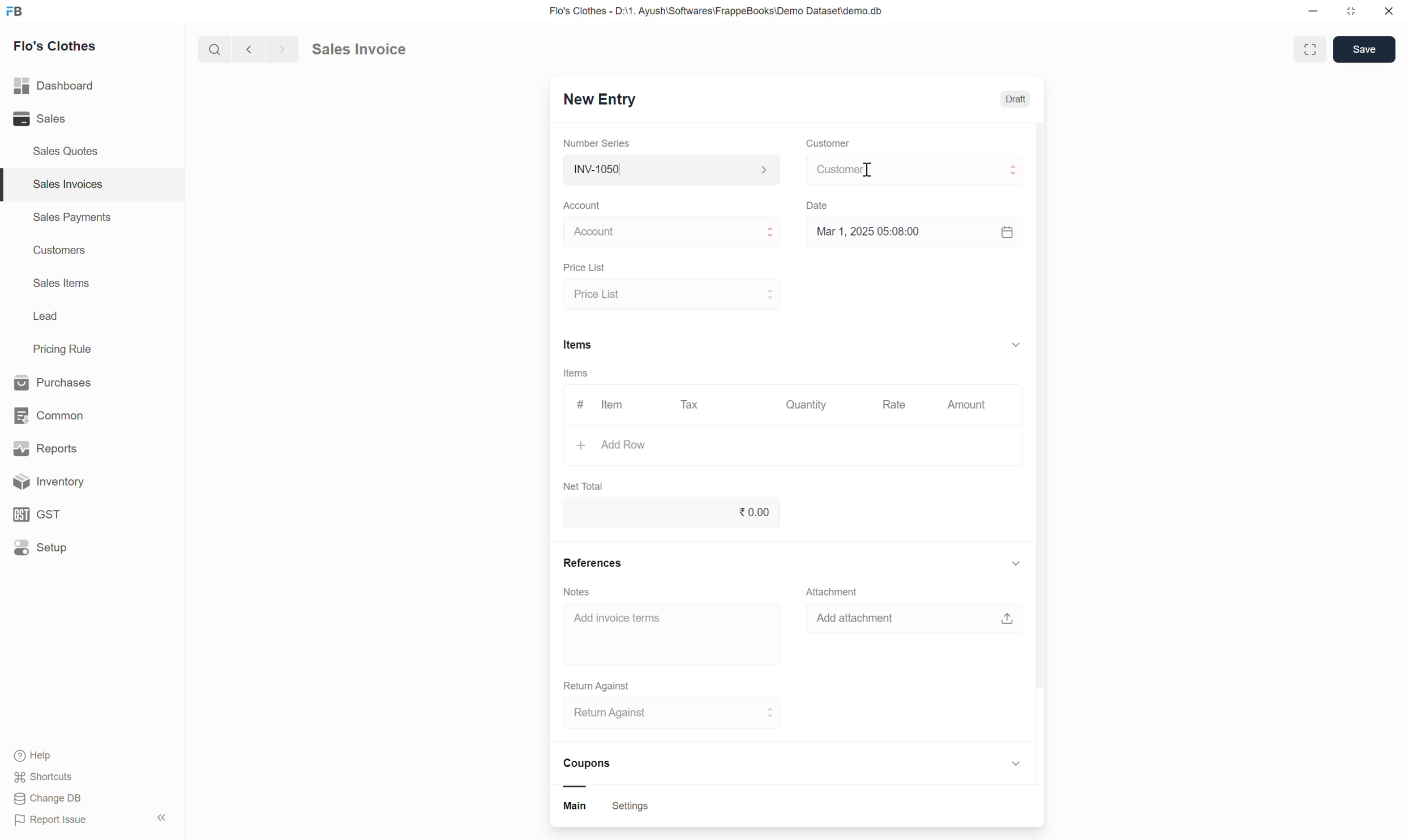 The image size is (1408, 840). What do you see at coordinates (66, 184) in the screenshot?
I see `Sales Invoices` at bounding box center [66, 184].